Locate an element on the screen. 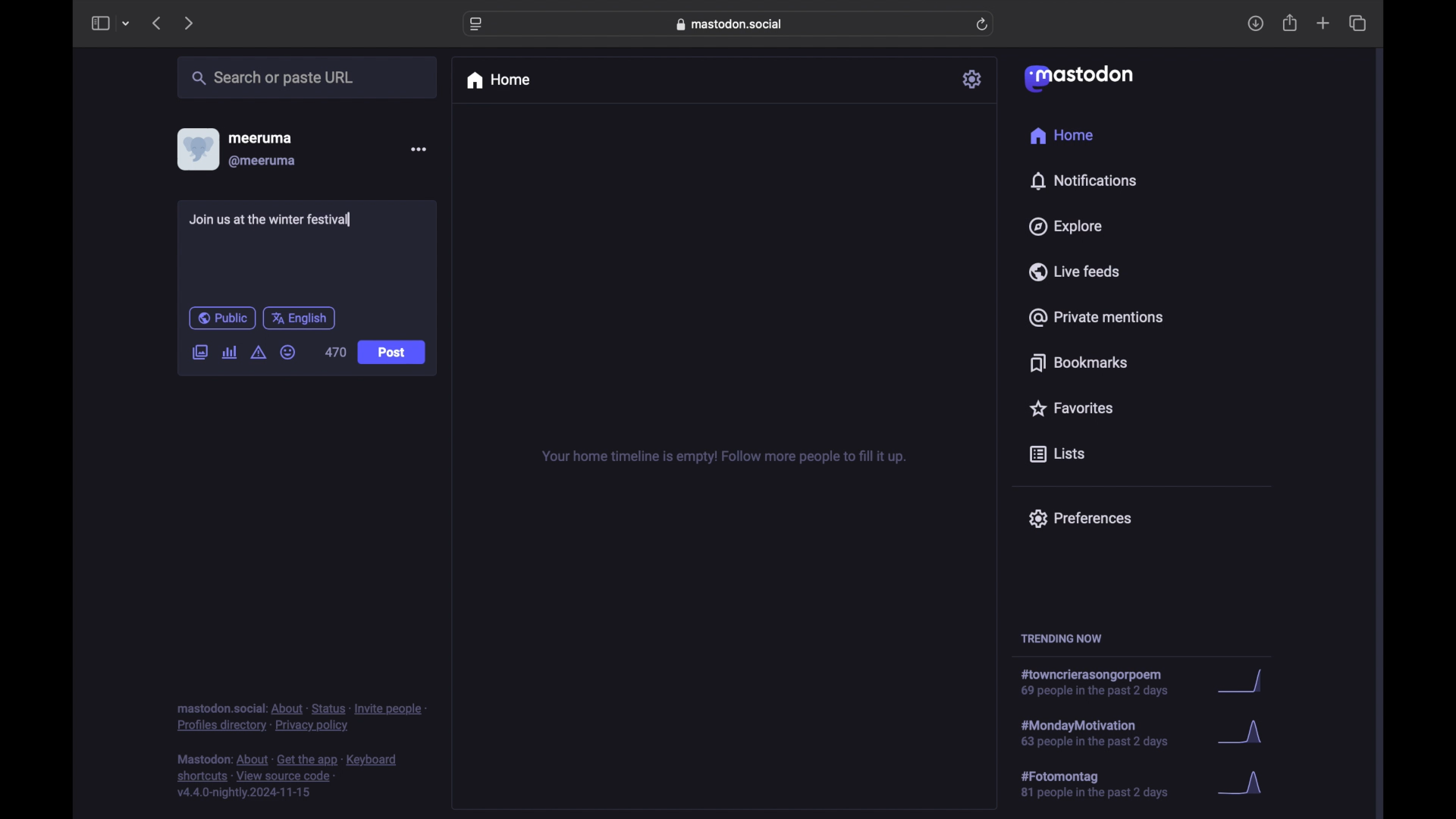 The width and height of the screenshot is (1456, 819). 470 is located at coordinates (335, 352).